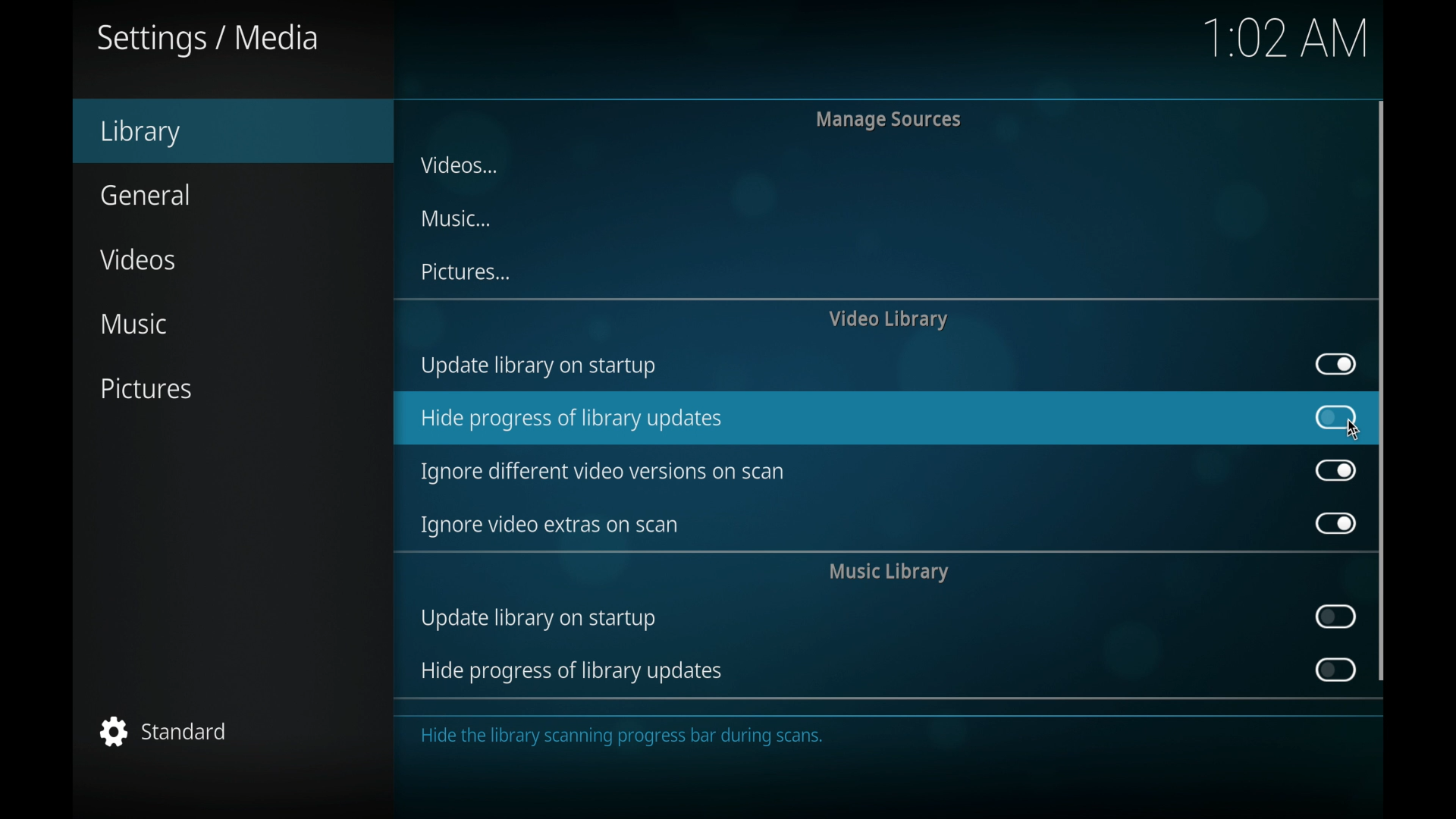 This screenshot has height=819, width=1456. I want to click on settings/media, so click(206, 40).